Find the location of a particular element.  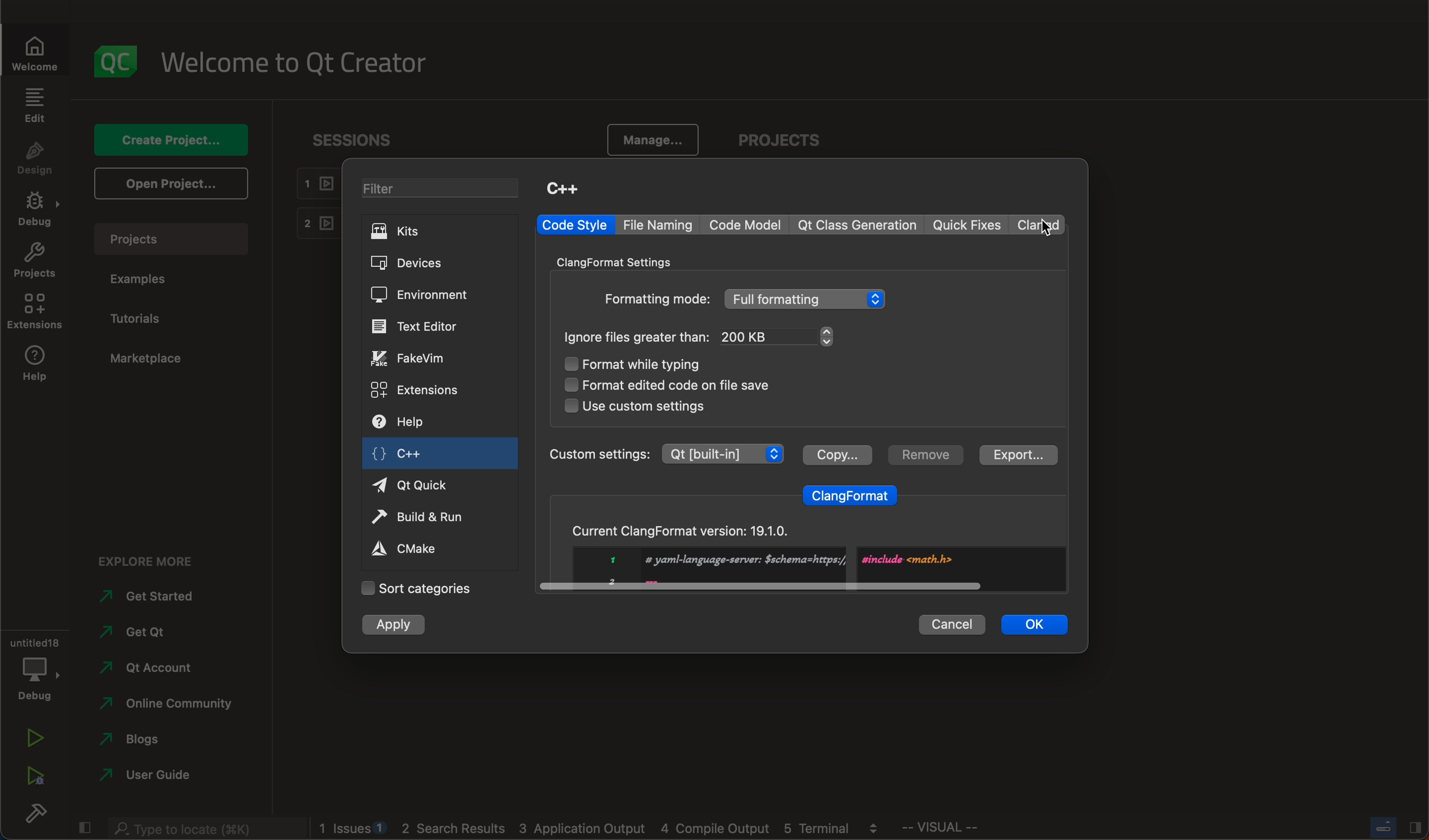

DEVICES is located at coordinates (425, 264).